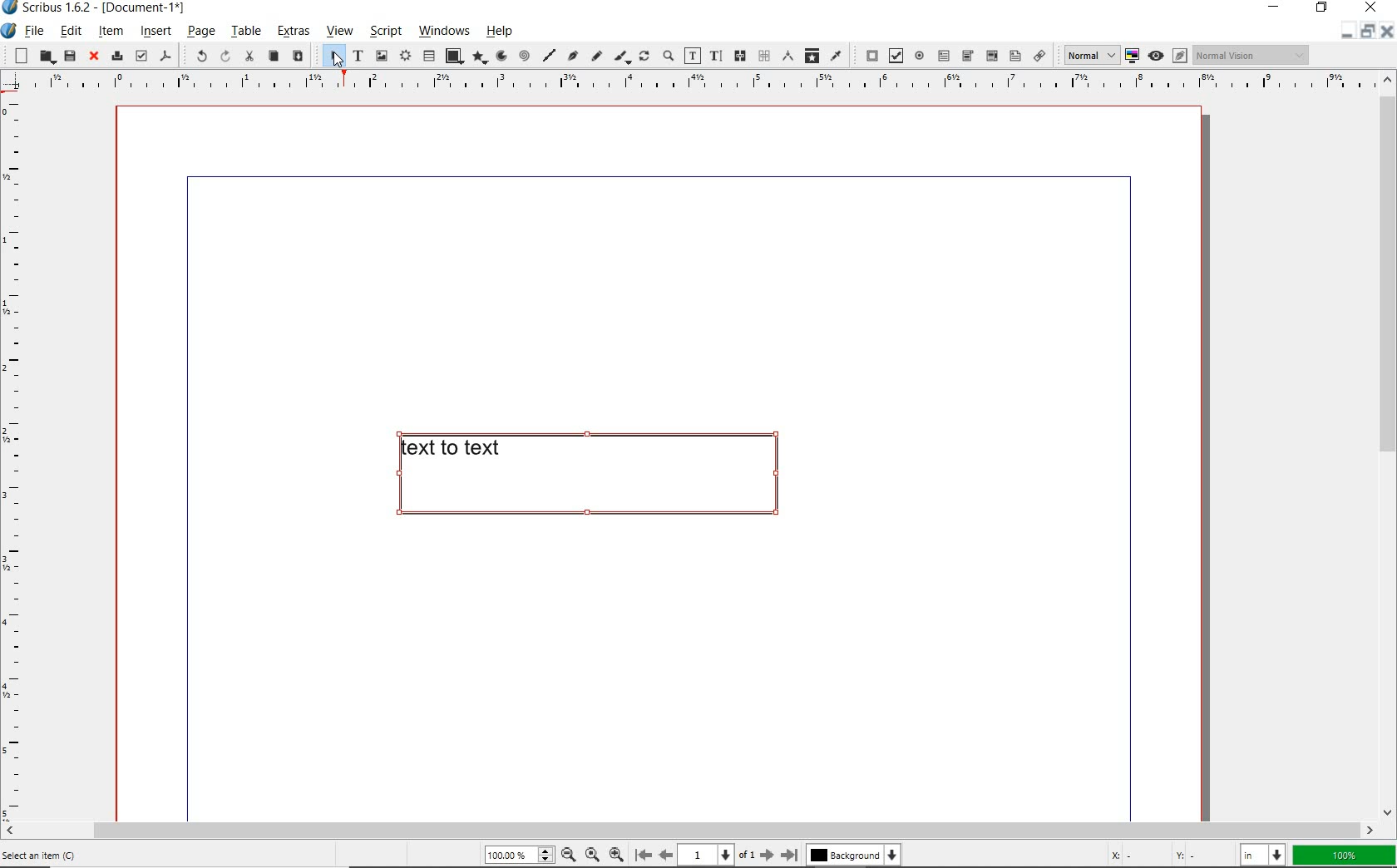 The height and width of the screenshot is (868, 1397). I want to click on paste, so click(297, 57).